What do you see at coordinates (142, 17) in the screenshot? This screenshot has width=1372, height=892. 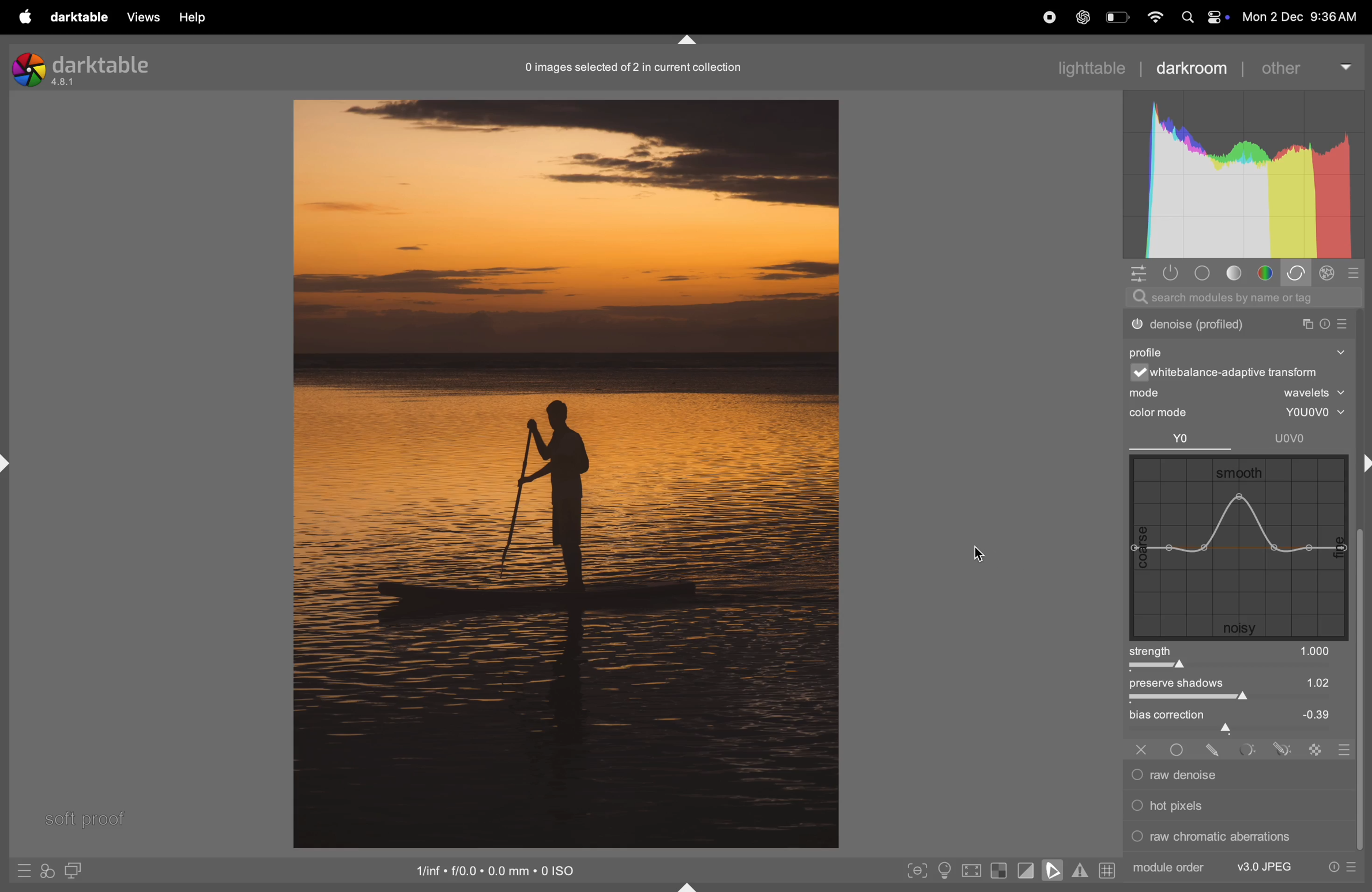 I see `views` at bounding box center [142, 17].